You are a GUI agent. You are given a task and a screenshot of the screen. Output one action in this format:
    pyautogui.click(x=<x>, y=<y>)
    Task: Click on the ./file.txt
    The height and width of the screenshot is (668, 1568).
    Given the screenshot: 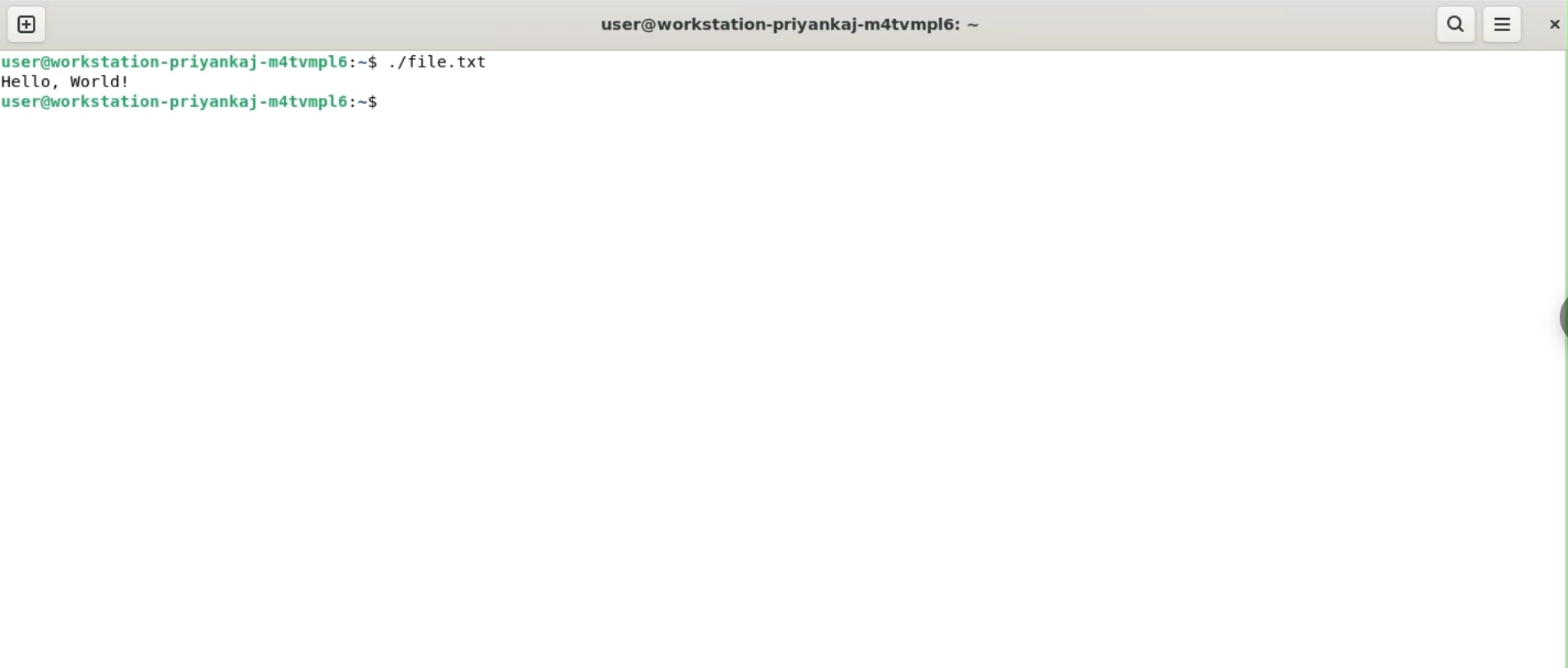 What is the action you would take?
    pyautogui.click(x=444, y=61)
    